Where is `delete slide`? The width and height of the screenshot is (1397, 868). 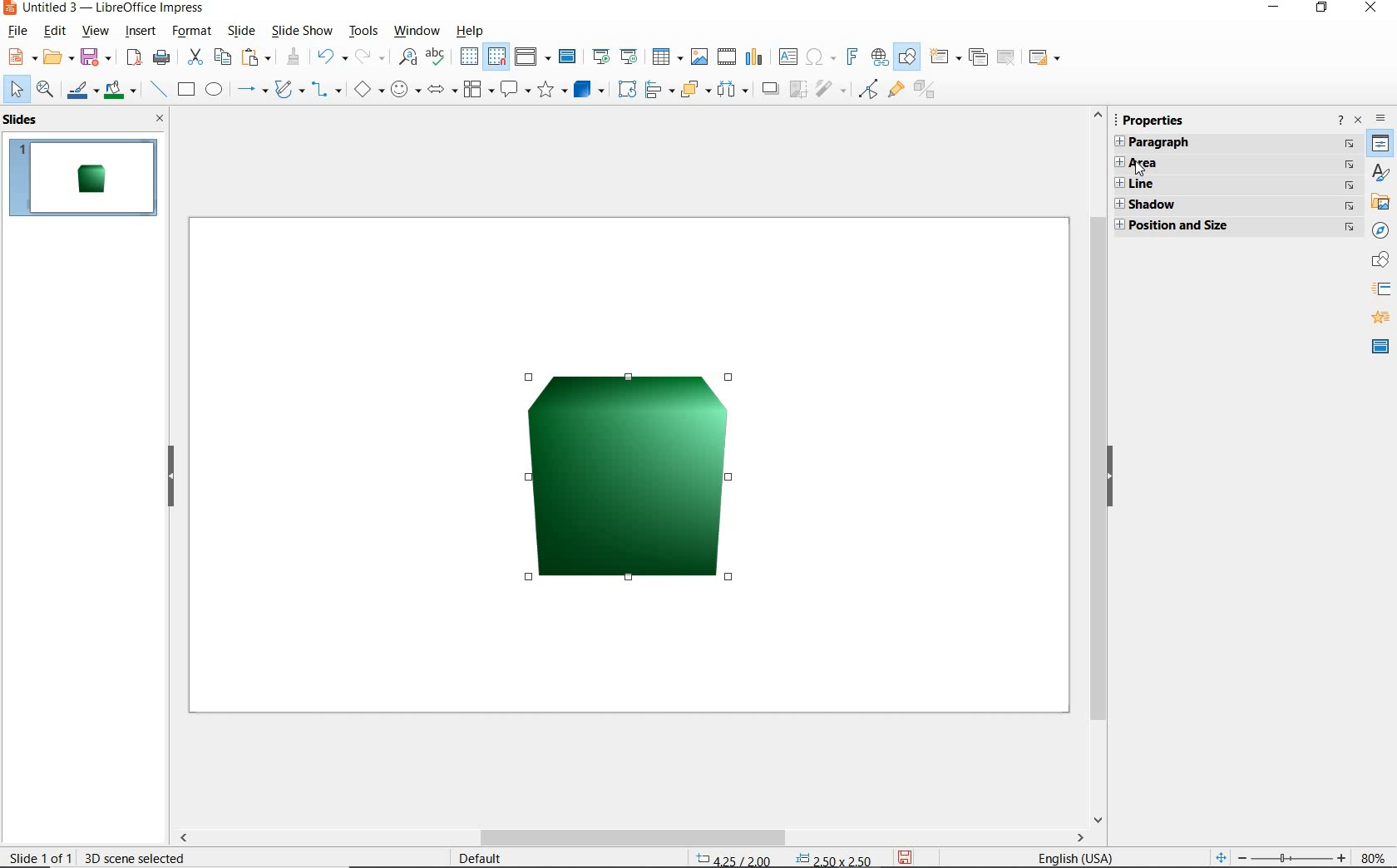
delete slide is located at coordinates (1007, 57).